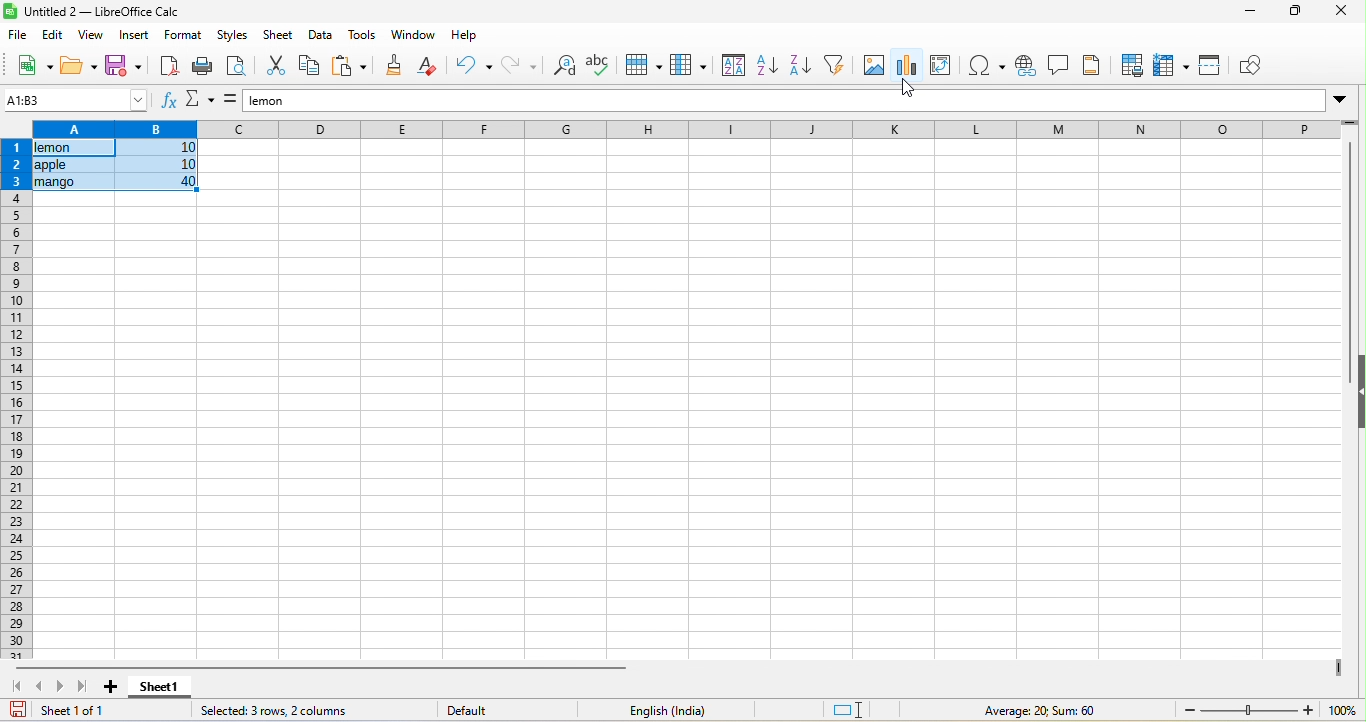  What do you see at coordinates (907, 89) in the screenshot?
I see `cursor movement` at bounding box center [907, 89].